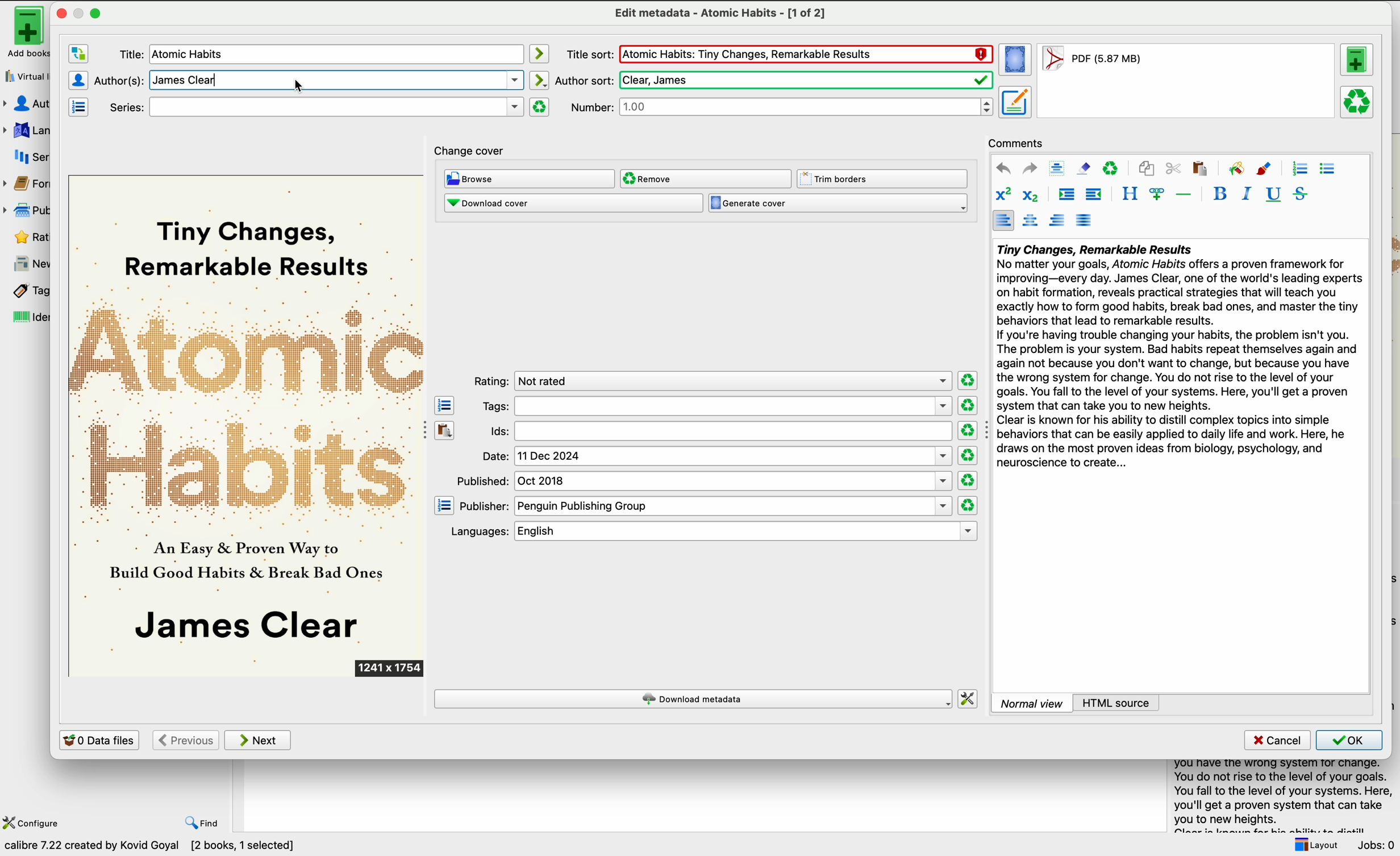  What do you see at coordinates (1116, 703) in the screenshot?
I see `HTML source` at bounding box center [1116, 703].